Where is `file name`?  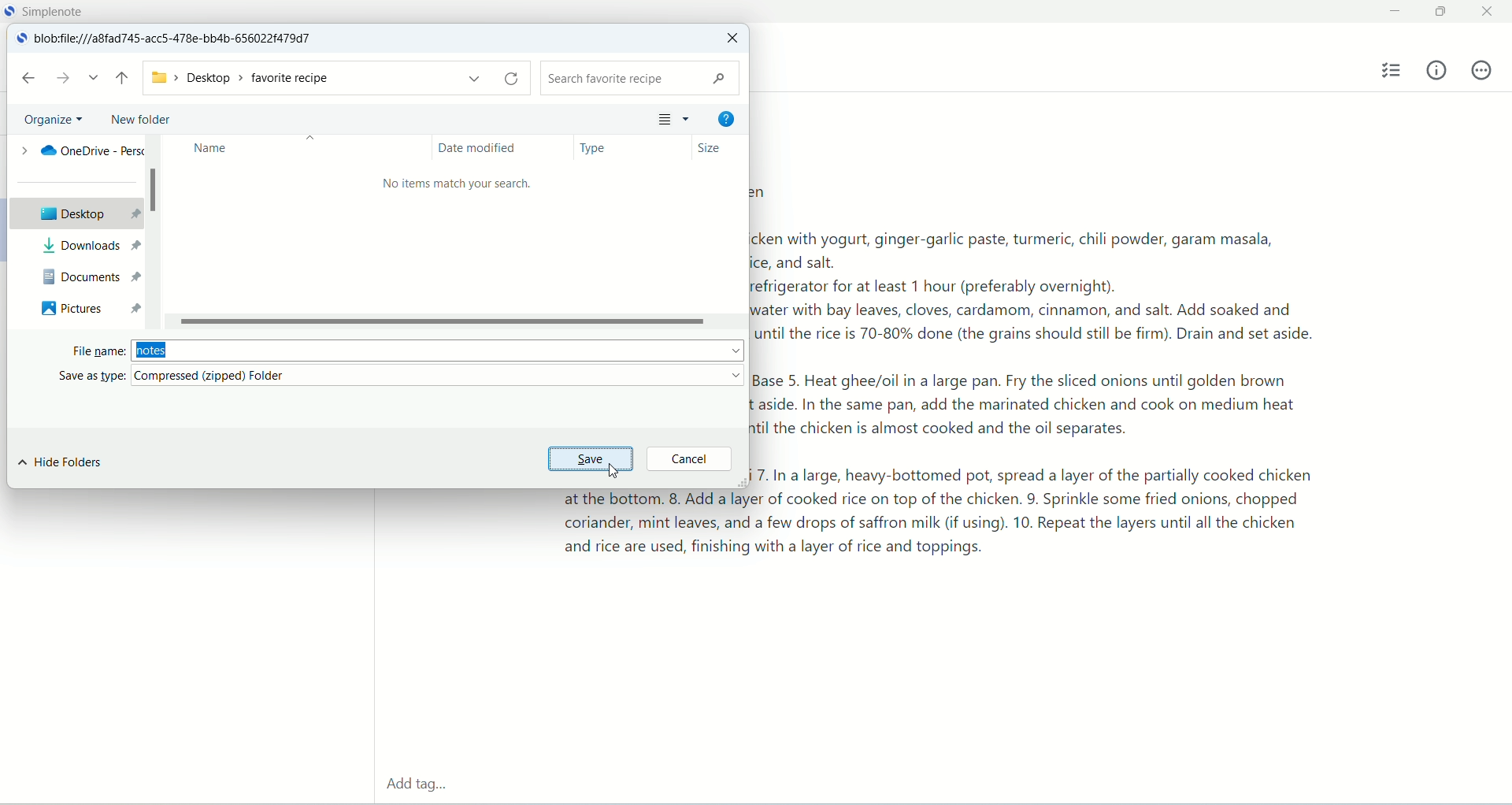
file name is located at coordinates (408, 348).